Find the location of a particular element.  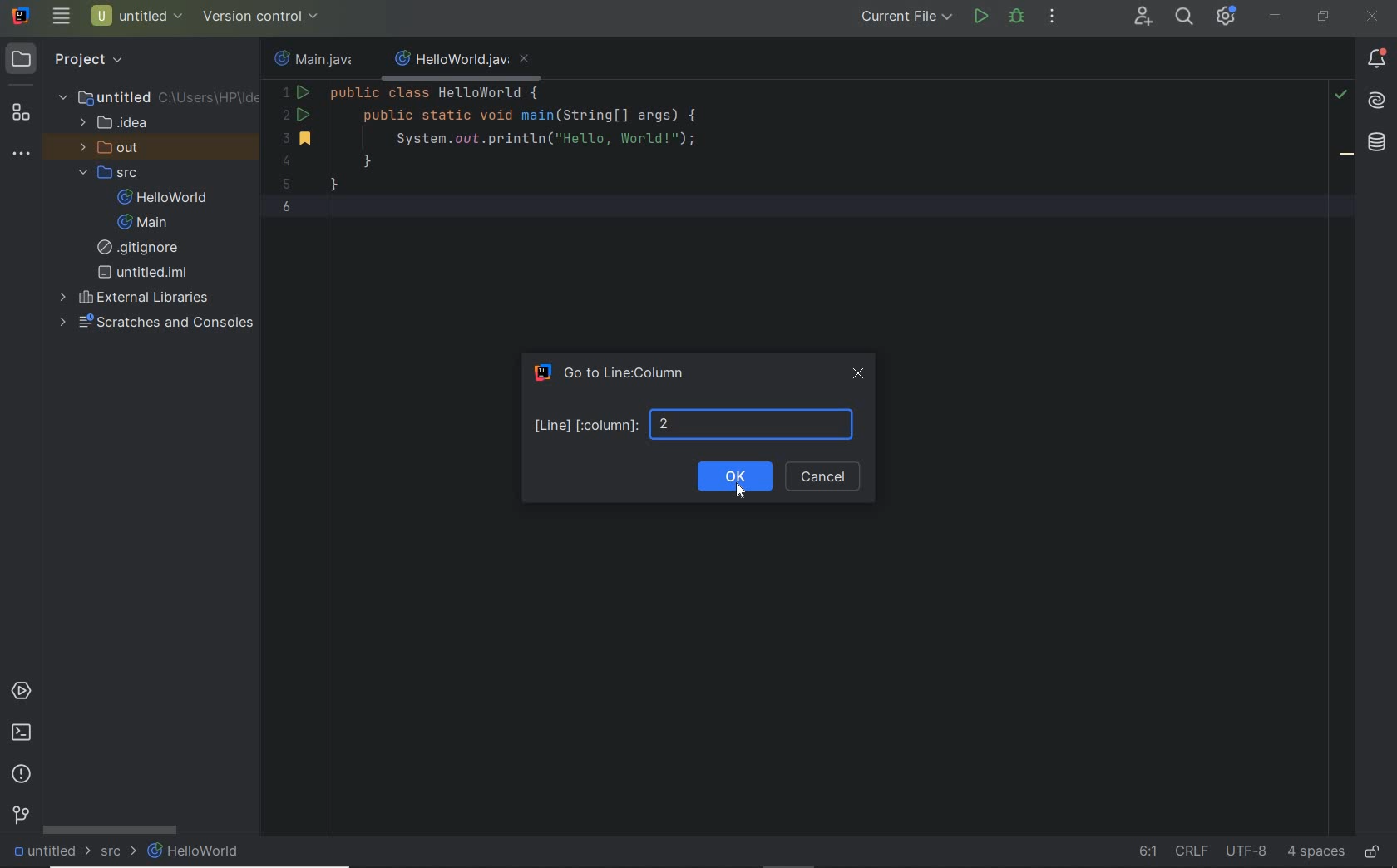

untitled is located at coordinates (143, 273).